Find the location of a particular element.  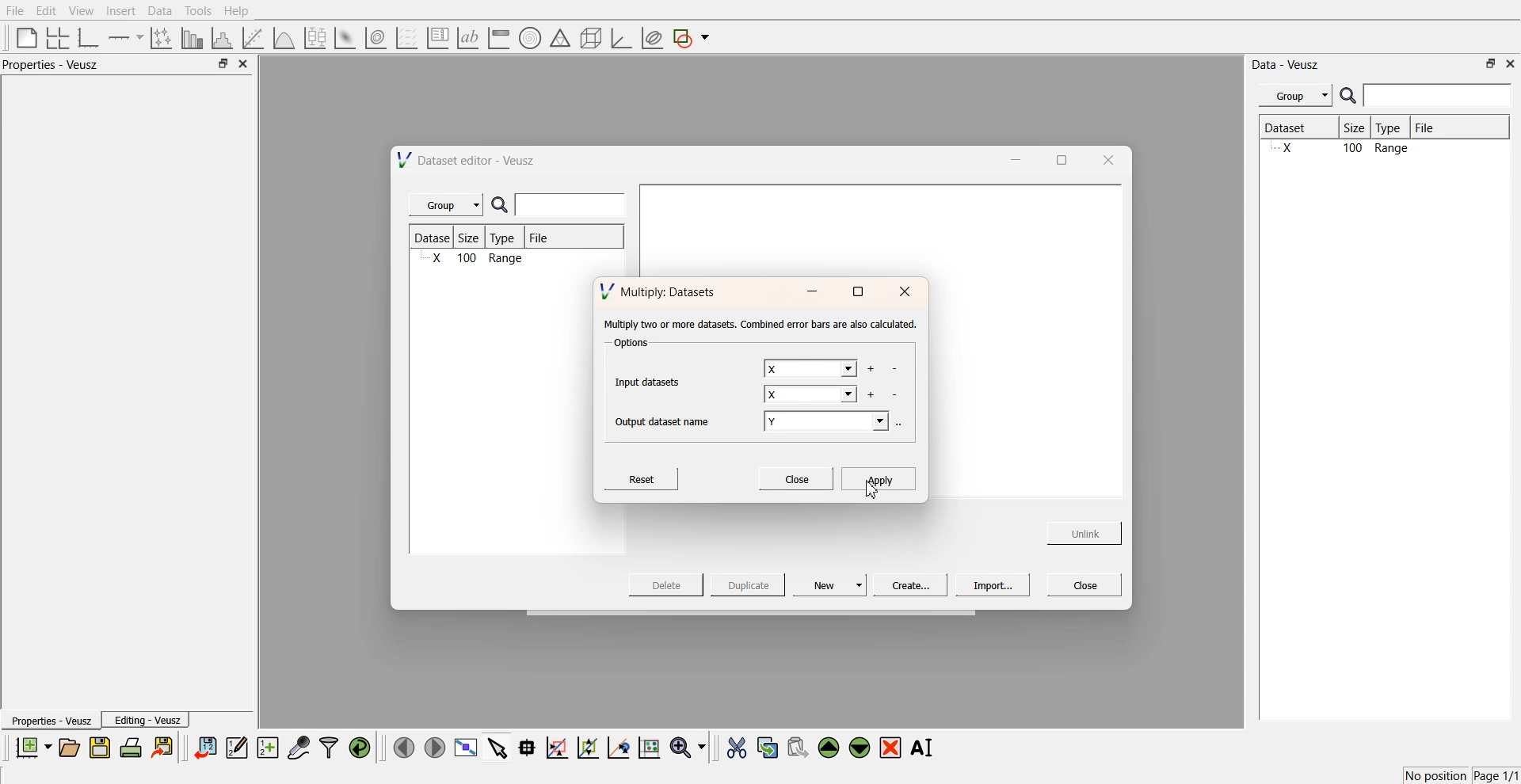

copy the selected widgets is located at coordinates (768, 747).